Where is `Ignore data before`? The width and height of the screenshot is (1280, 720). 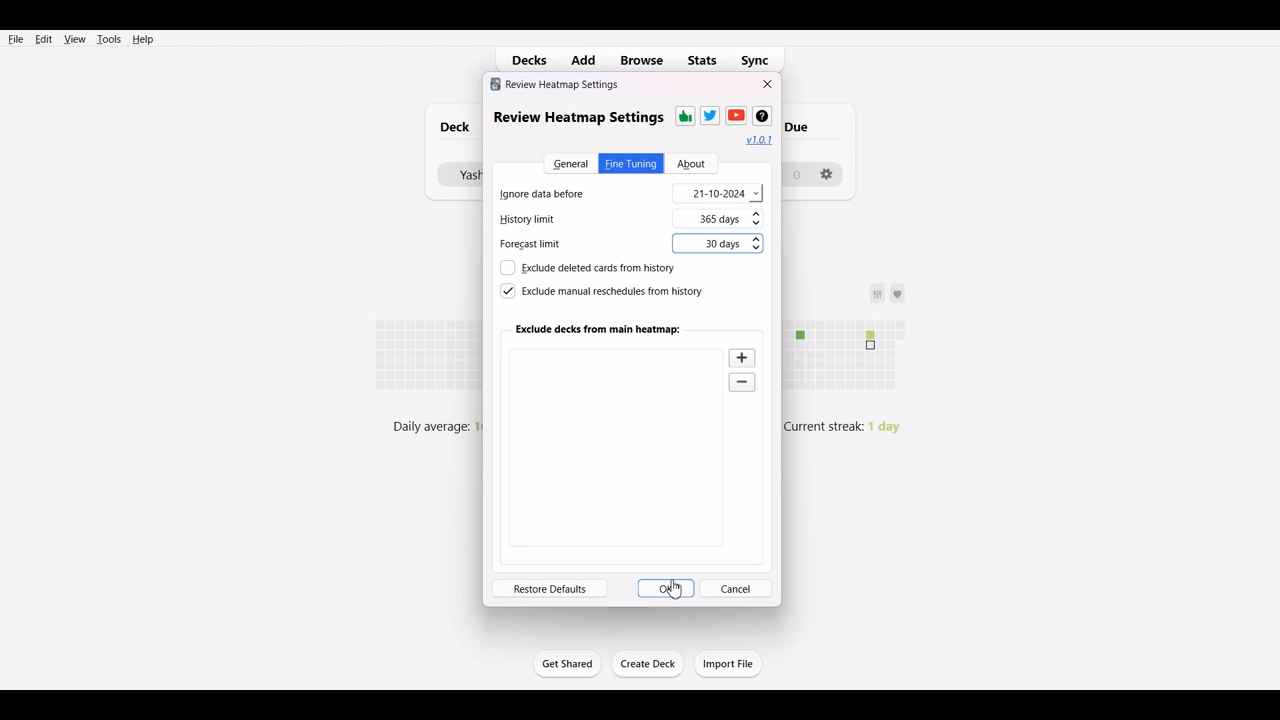 Ignore data before is located at coordinates (557, 192).